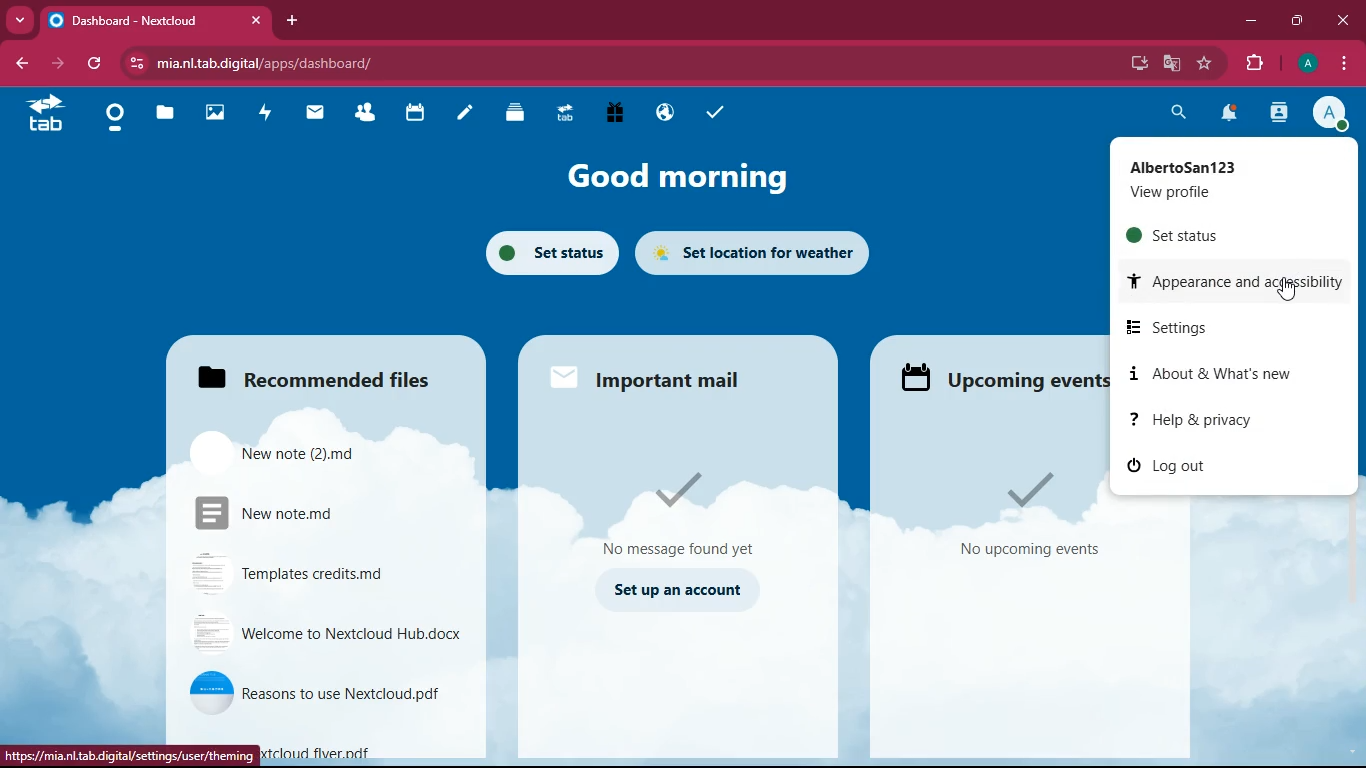 This screenshot has height=768, width=1366. Describe the element at coordinates (324, 574) in the screenshot. I see `file` at that location.